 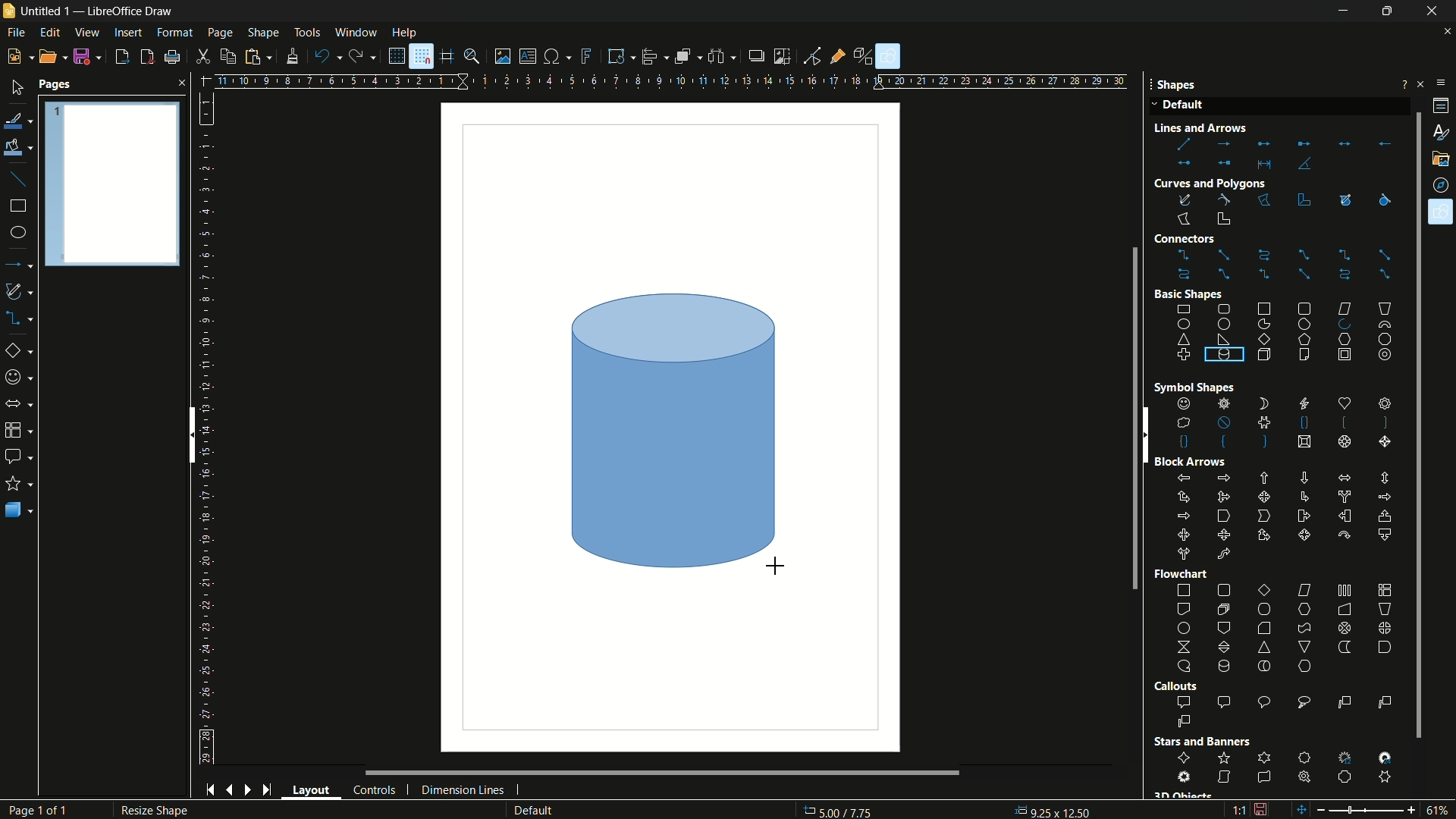 I want to click on snap to grid, so click(x=421, y=56).